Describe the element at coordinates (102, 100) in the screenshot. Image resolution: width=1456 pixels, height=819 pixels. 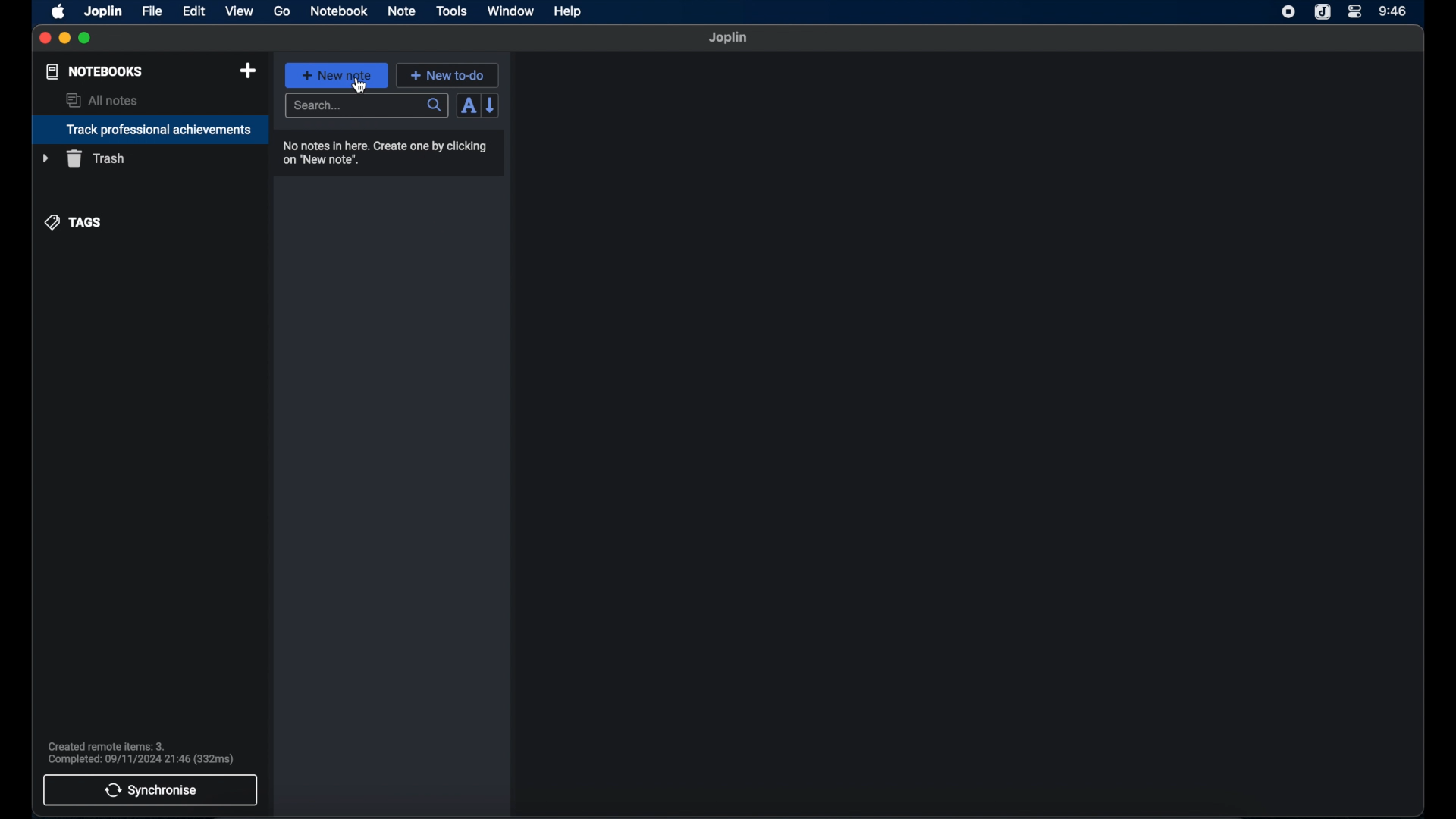
I see `all  notes` at that location.